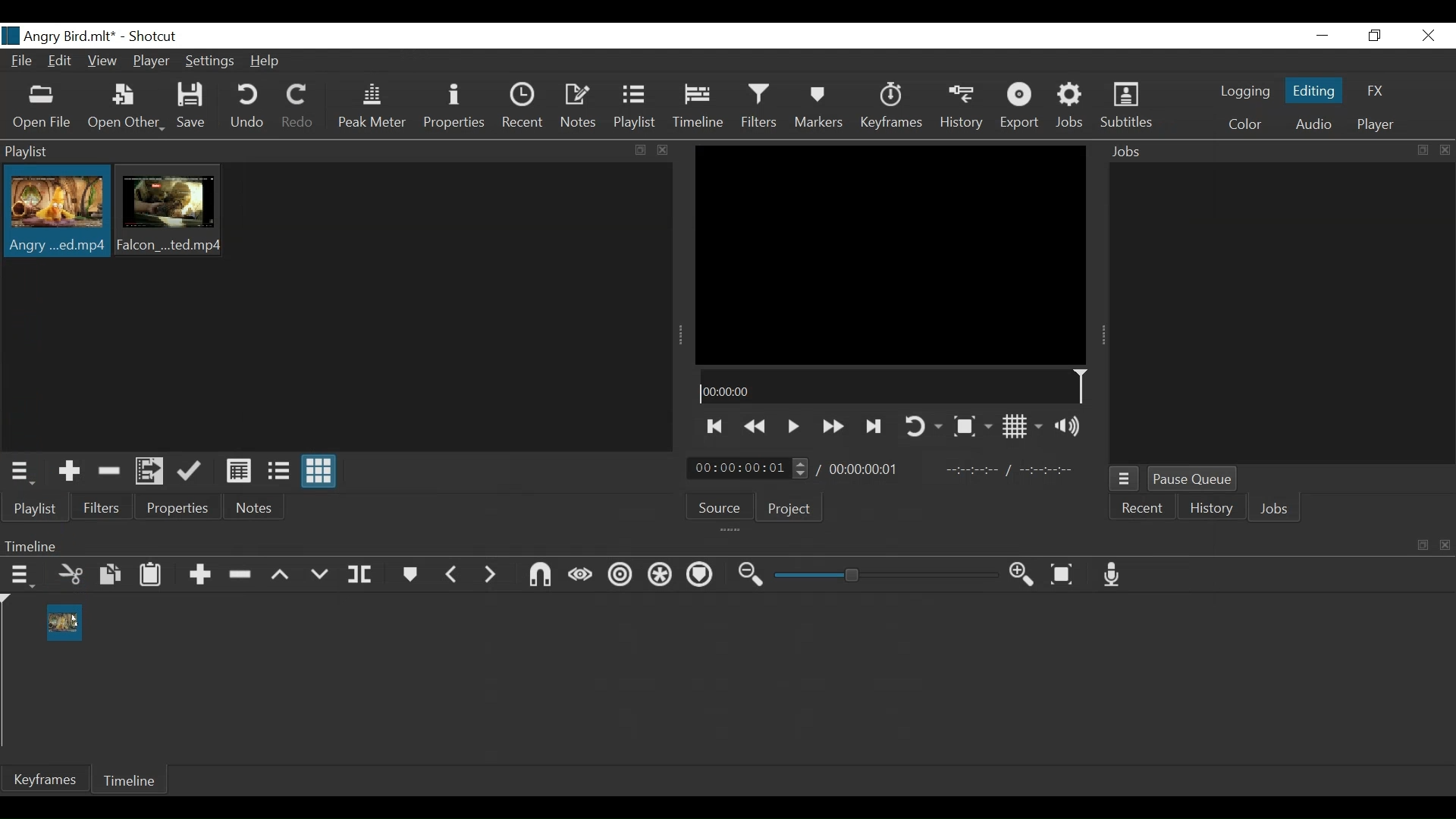 Image resolution: width=1456 pixels, height=819 pixels. I want to click on Markers, so click(411, 575).